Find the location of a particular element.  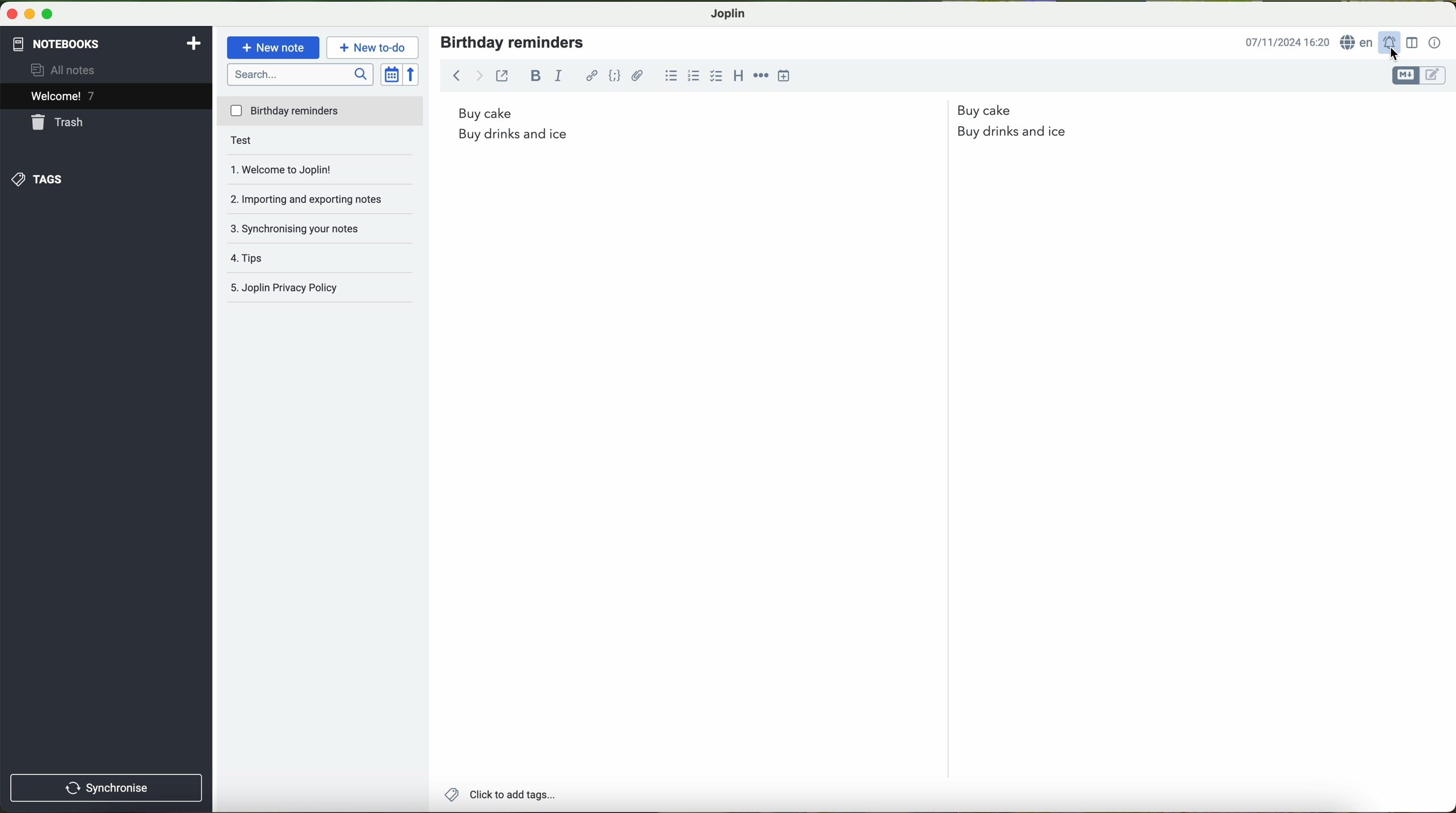

heading is located at coordinates (738, 77).